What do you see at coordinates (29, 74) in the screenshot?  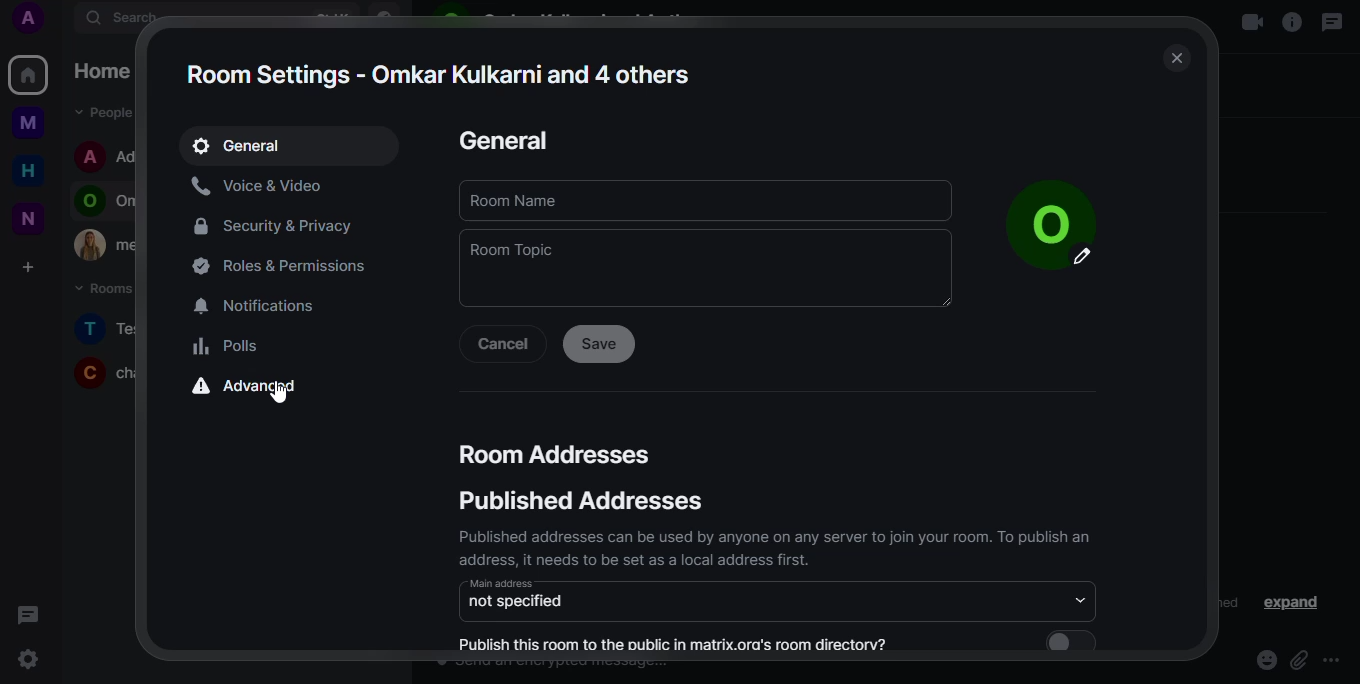 I see `home` at bounding box center [29, 74].